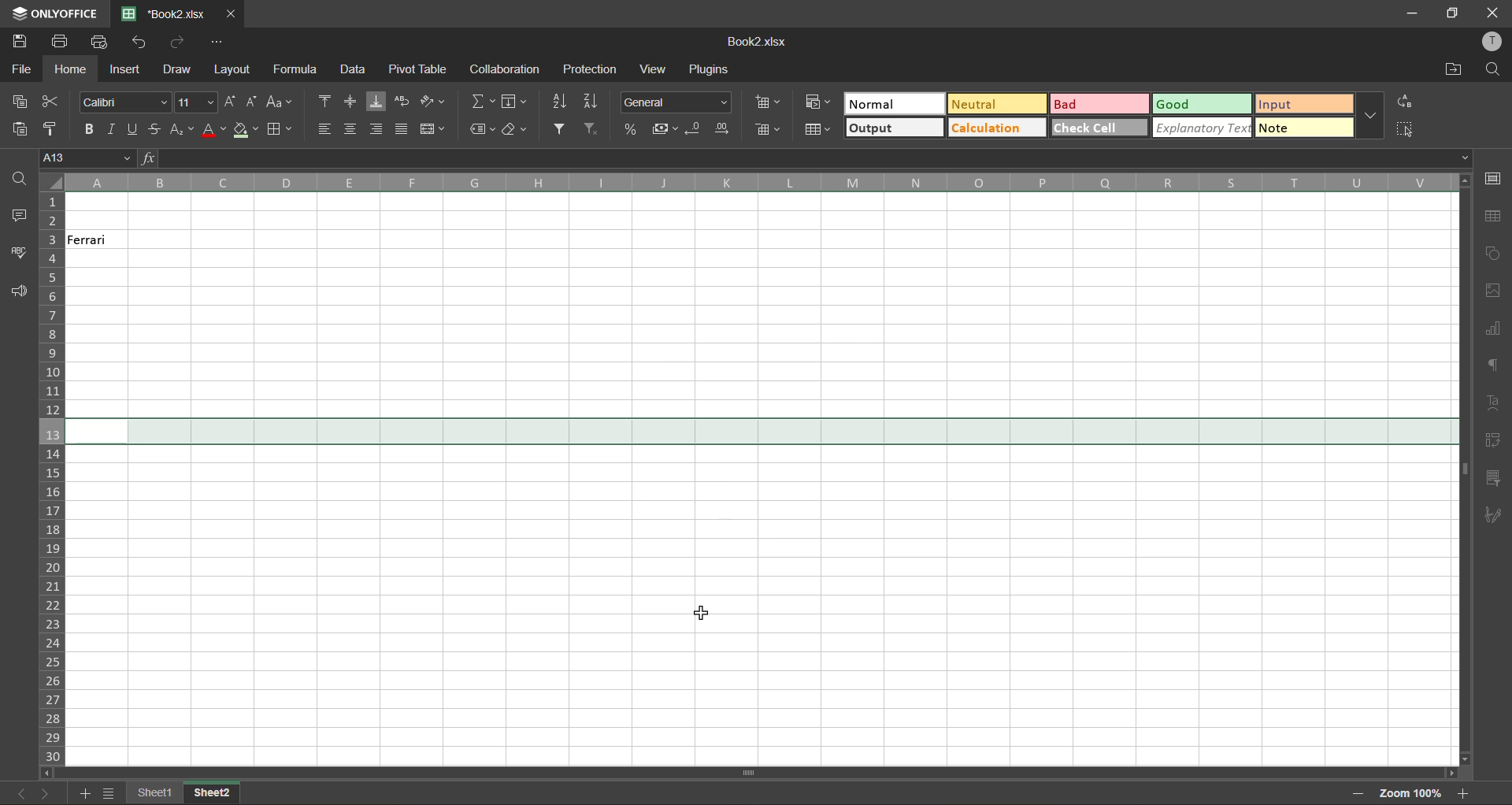 The height and width of the screenshot is (805, 1512). Describe the element at coordinates (70, 71) in the screenshot. I see `home` at that location.